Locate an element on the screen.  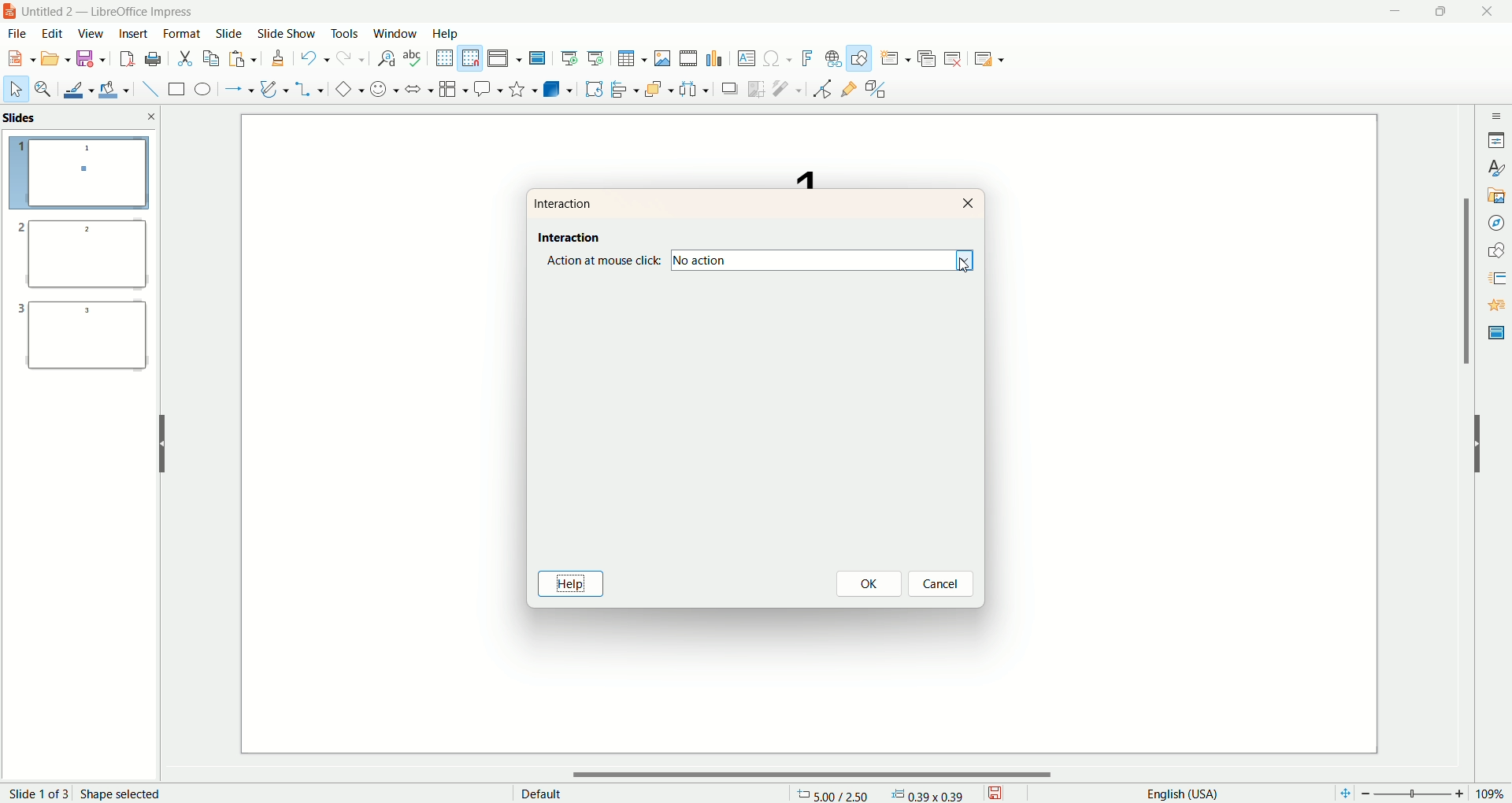
slide 3 is located at coordinates (83, 342).